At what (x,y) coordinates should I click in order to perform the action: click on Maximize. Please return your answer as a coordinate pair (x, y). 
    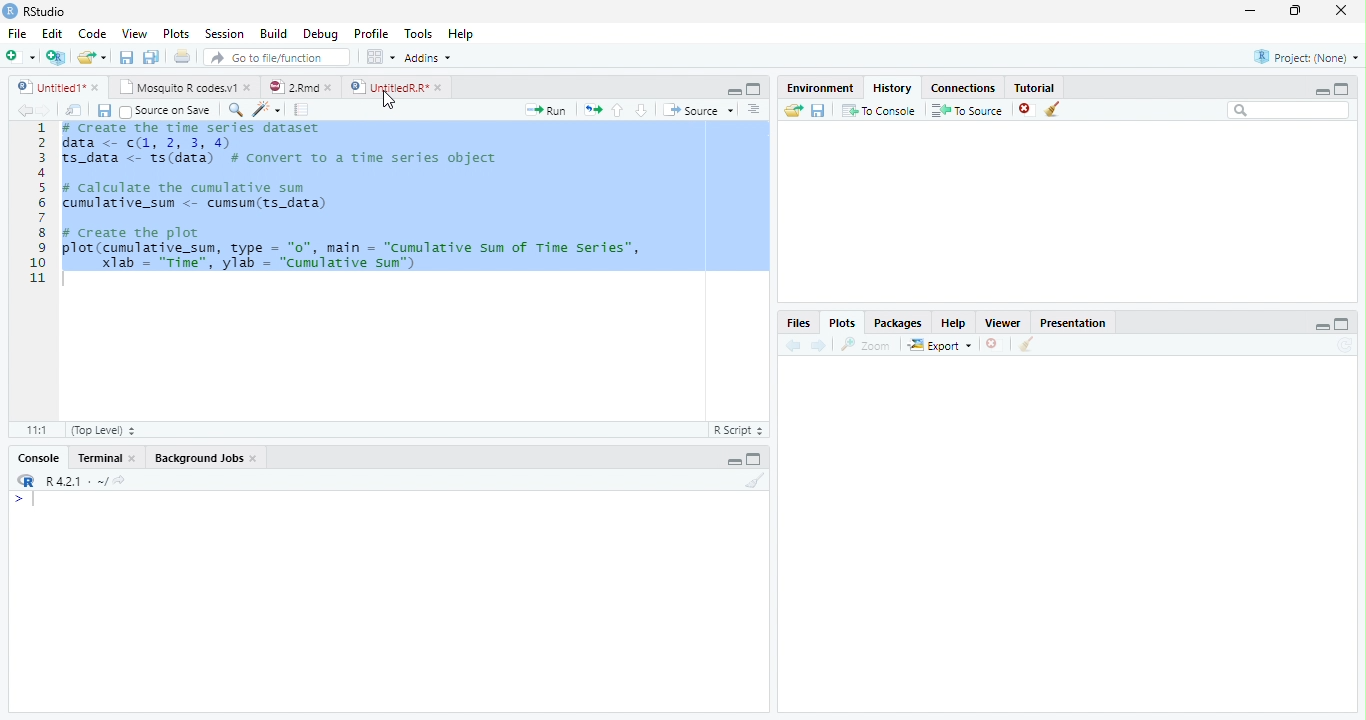
    Looking at the image, I should click on (1342, 90).